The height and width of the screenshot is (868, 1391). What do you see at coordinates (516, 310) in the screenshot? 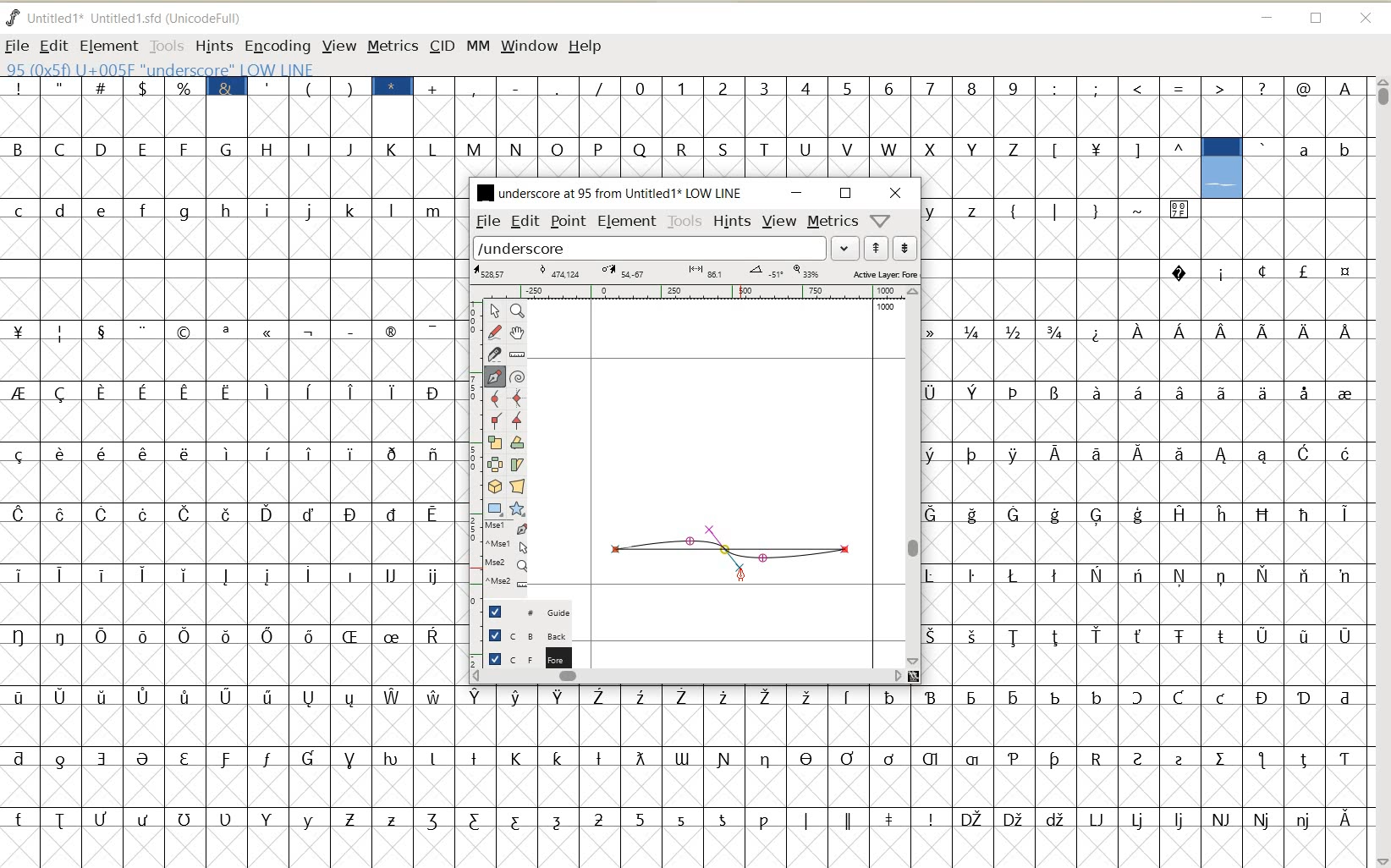
I see `Magnify` at bounding box center [516, 310].